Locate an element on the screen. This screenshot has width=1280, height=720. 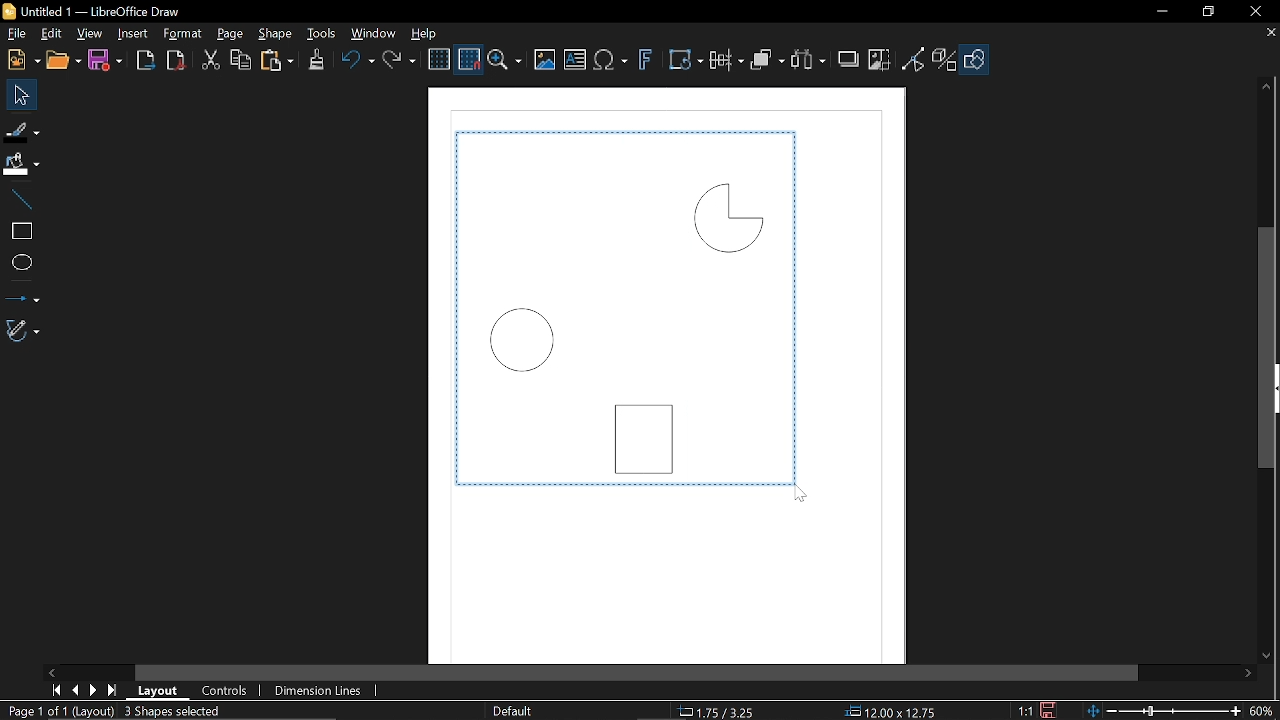
Edit is located at coordinates (52, 33).